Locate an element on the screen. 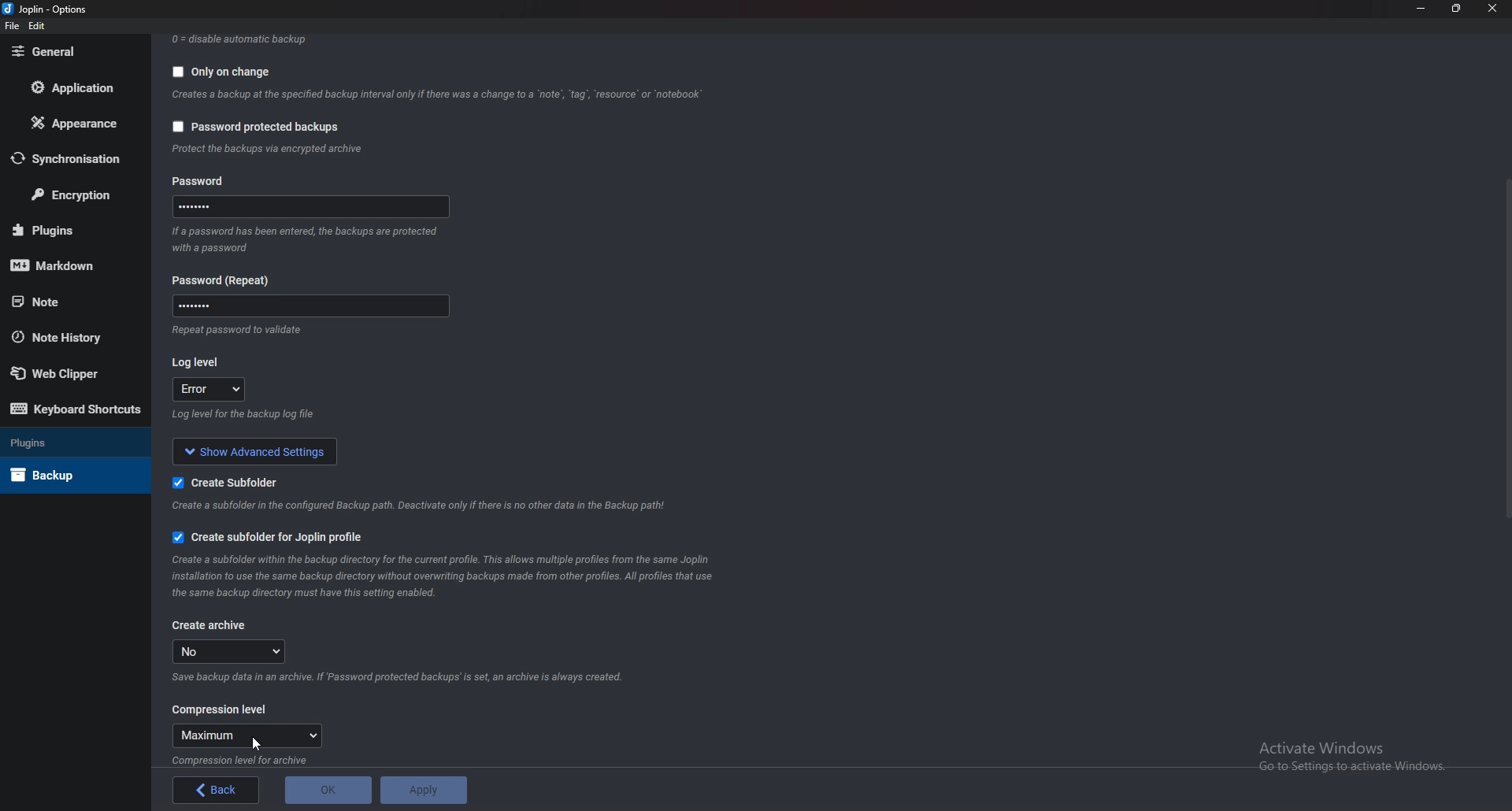 The image size is (1512, 811). Back up is located at coordinates (69, 474).